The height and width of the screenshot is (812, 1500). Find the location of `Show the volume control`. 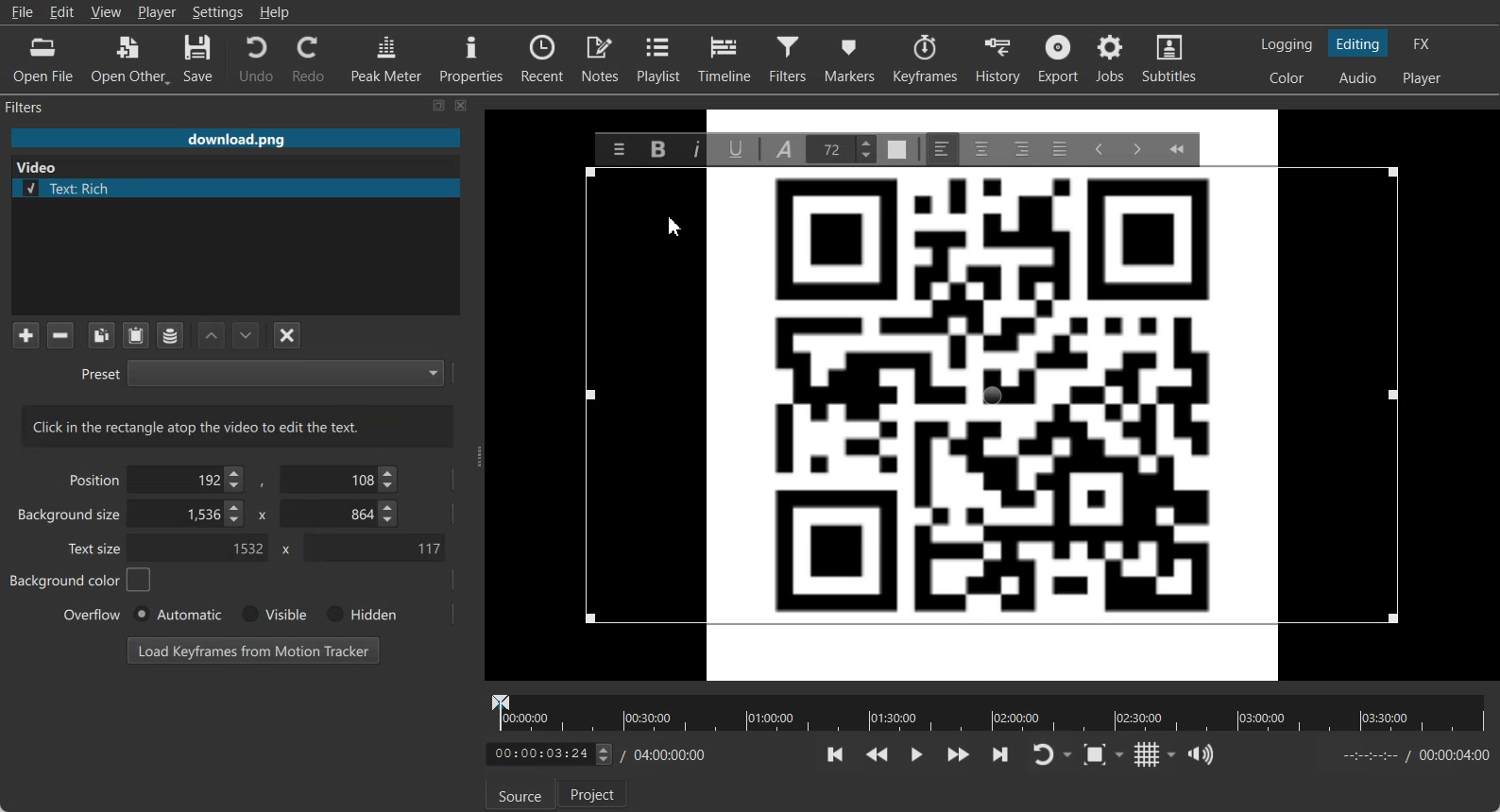

Show the volume control is located at coordinates (1201, 755).